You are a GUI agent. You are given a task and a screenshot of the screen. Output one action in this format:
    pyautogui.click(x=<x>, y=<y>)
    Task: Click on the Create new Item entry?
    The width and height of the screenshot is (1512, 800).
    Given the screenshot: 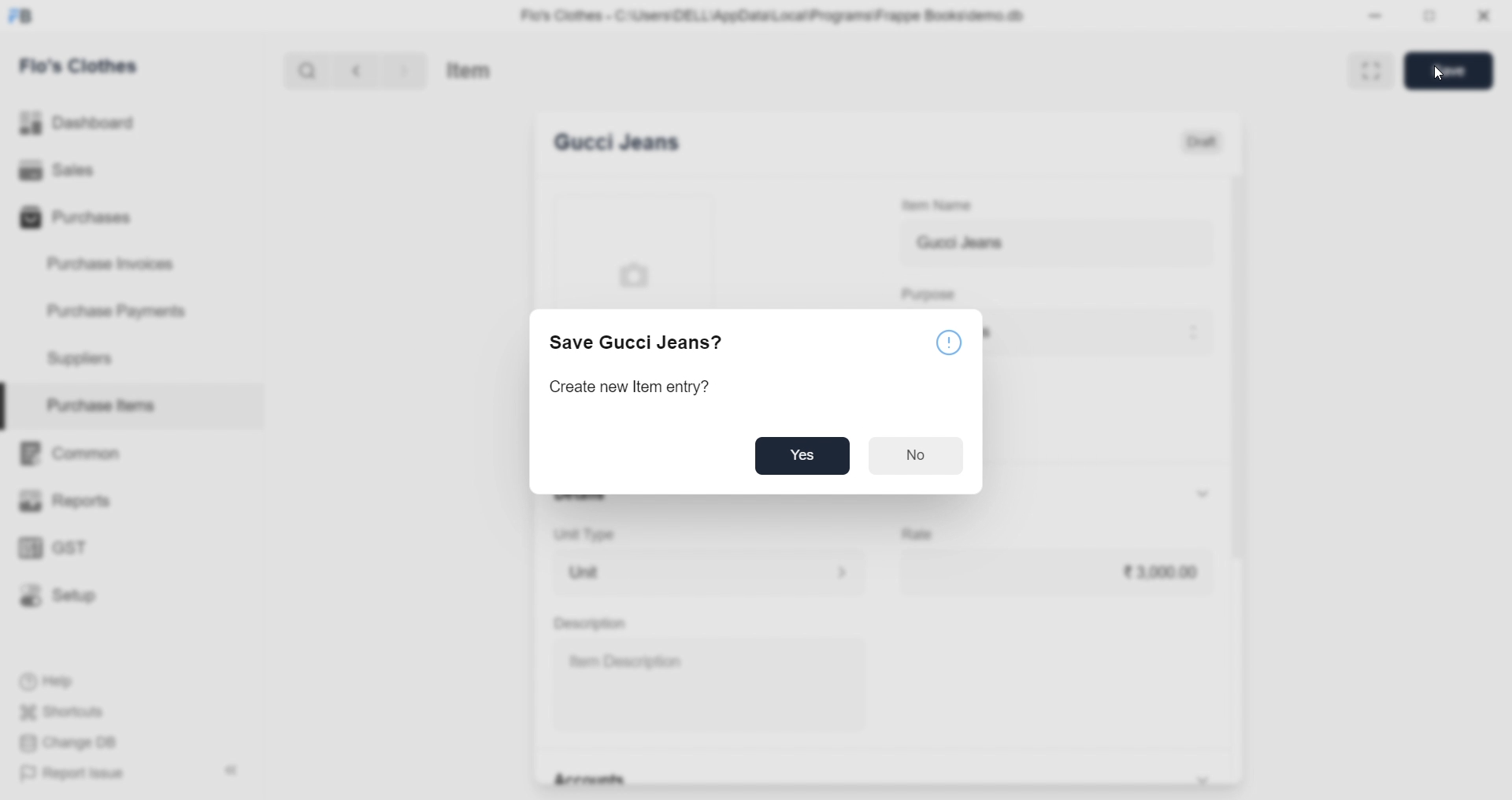 What is the action you would take?
    pyautogui.click(x=629, y=387)
    